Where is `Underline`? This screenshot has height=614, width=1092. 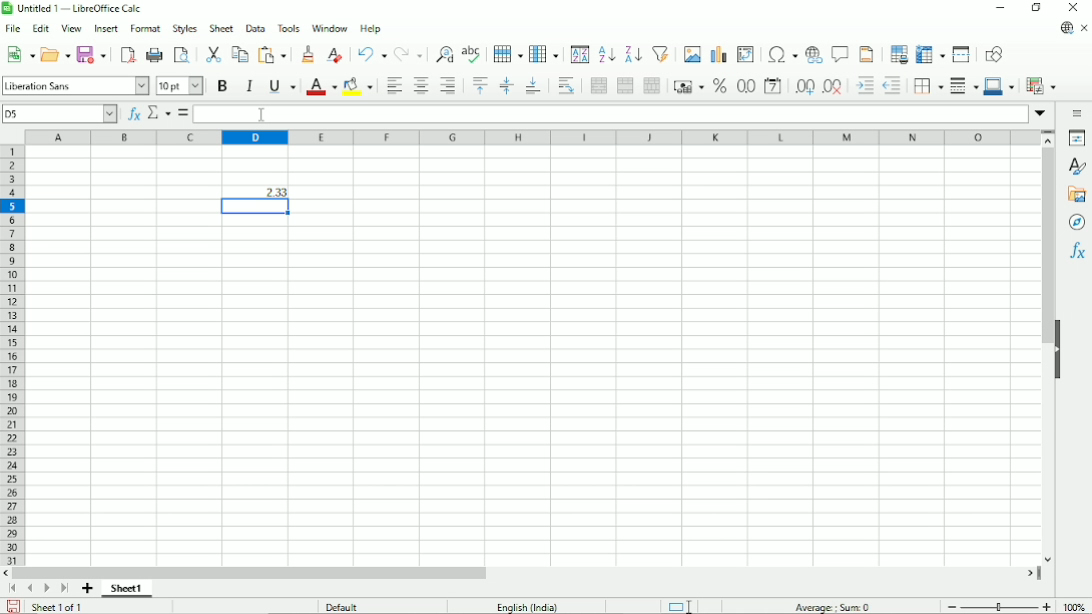
Underline is located at coordinates (283, 86).